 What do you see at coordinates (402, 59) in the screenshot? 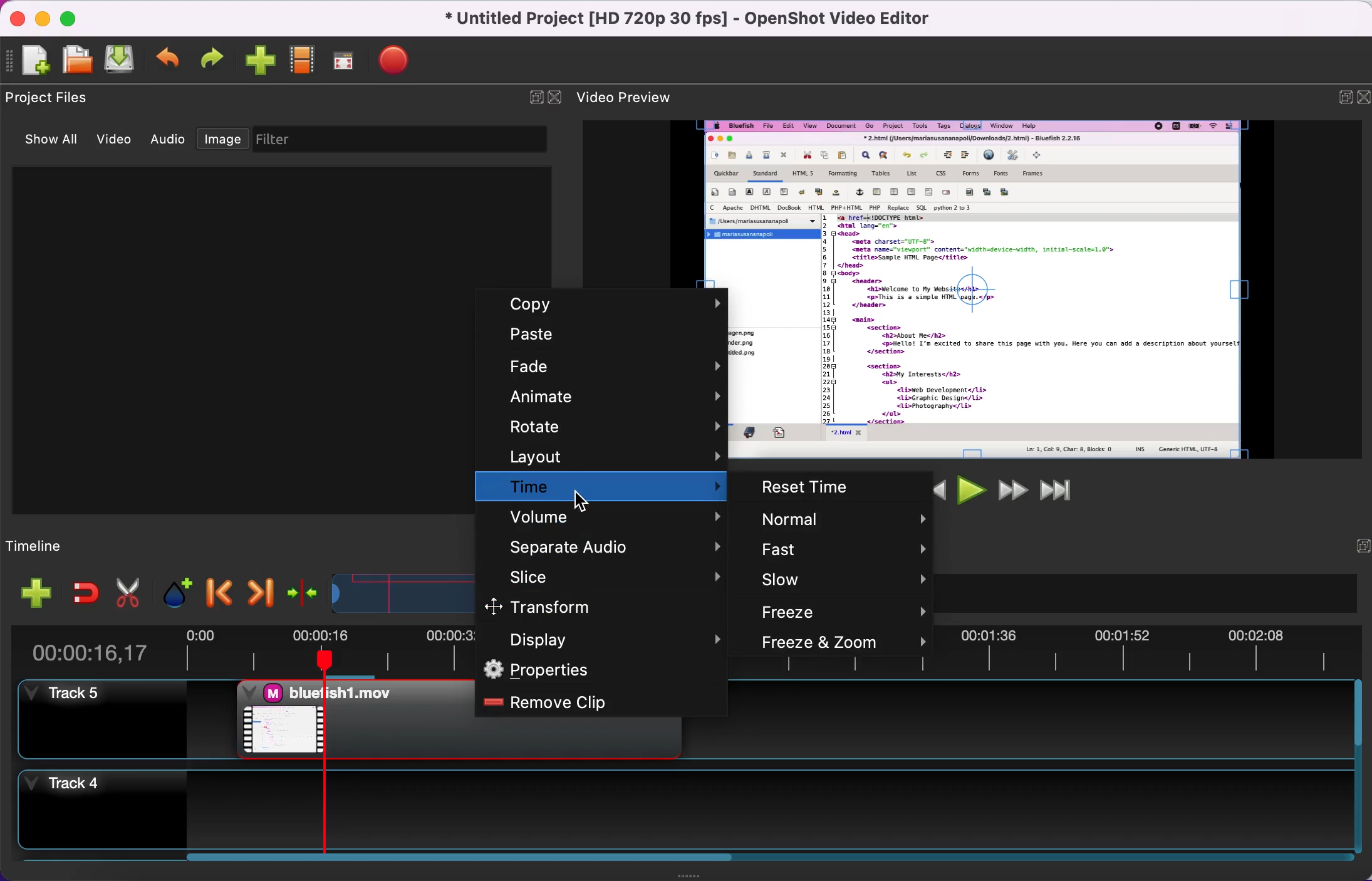
I see `export video` at bounding box center [402, 59].